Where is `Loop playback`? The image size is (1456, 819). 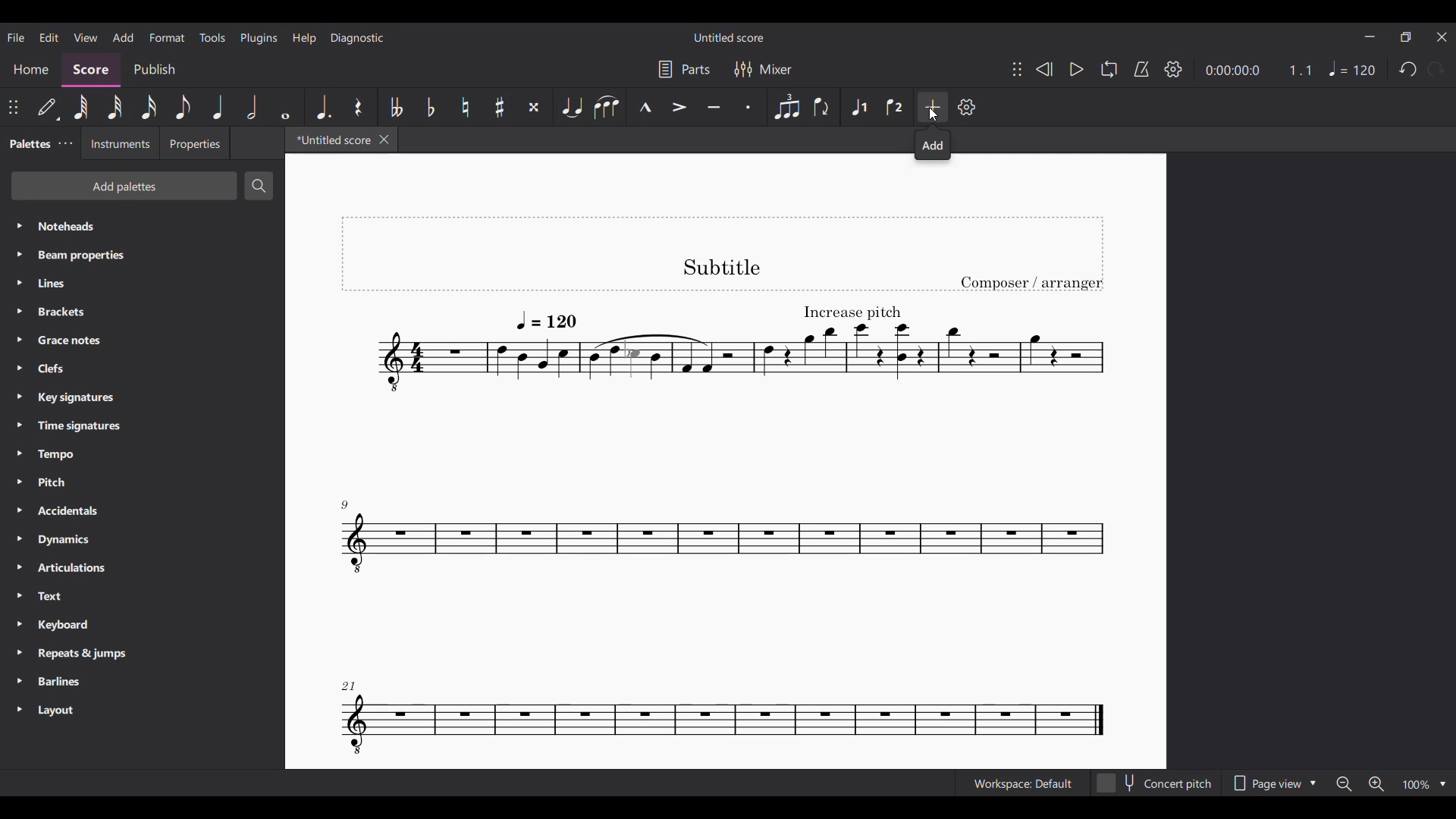 Loop playback is located at coordinates (1109, 69).